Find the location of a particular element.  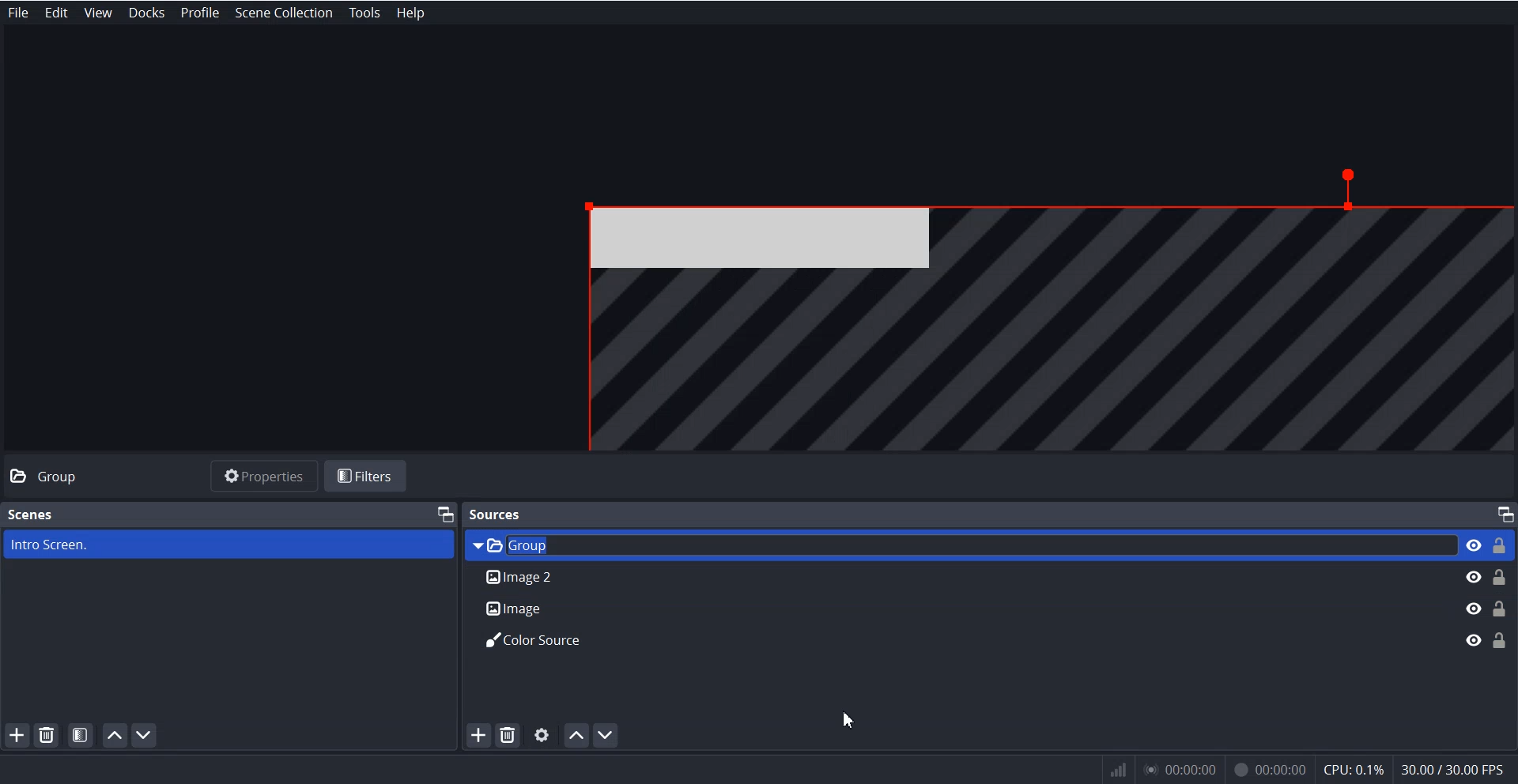

Group is located at coordinates (956, 545).